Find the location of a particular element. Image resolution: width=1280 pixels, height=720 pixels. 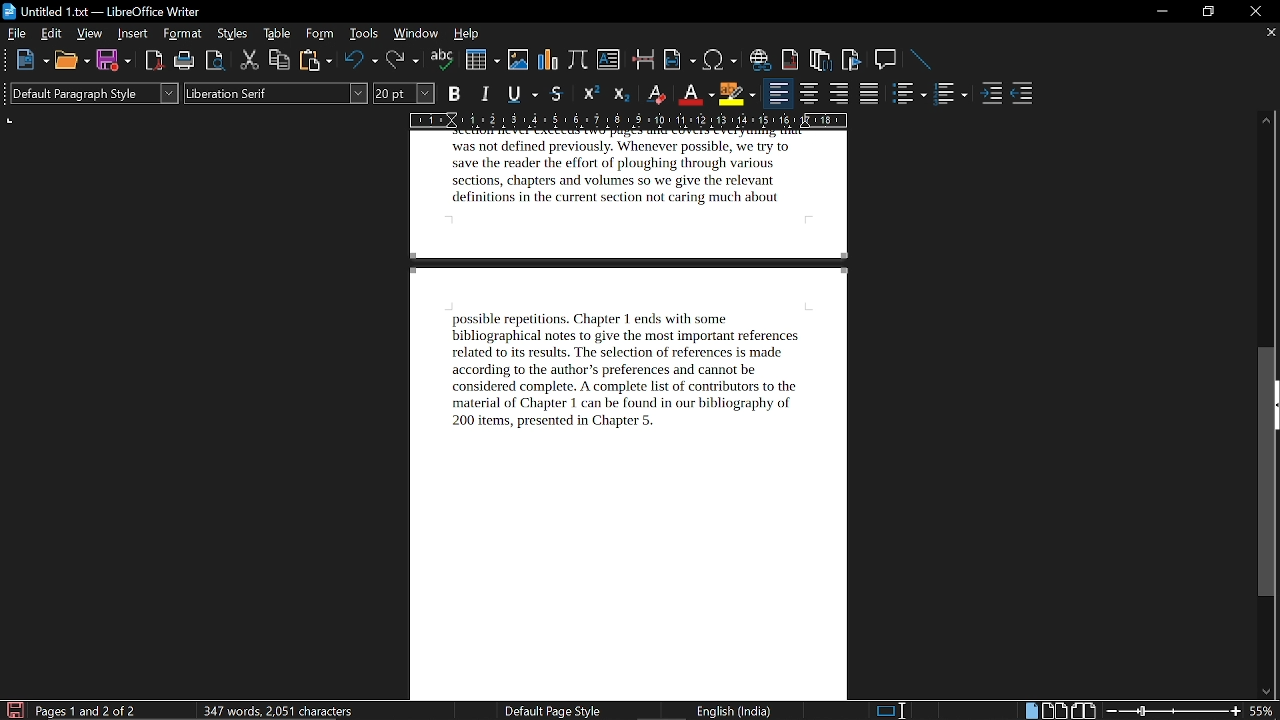

table is located at coordinates (277, 35).